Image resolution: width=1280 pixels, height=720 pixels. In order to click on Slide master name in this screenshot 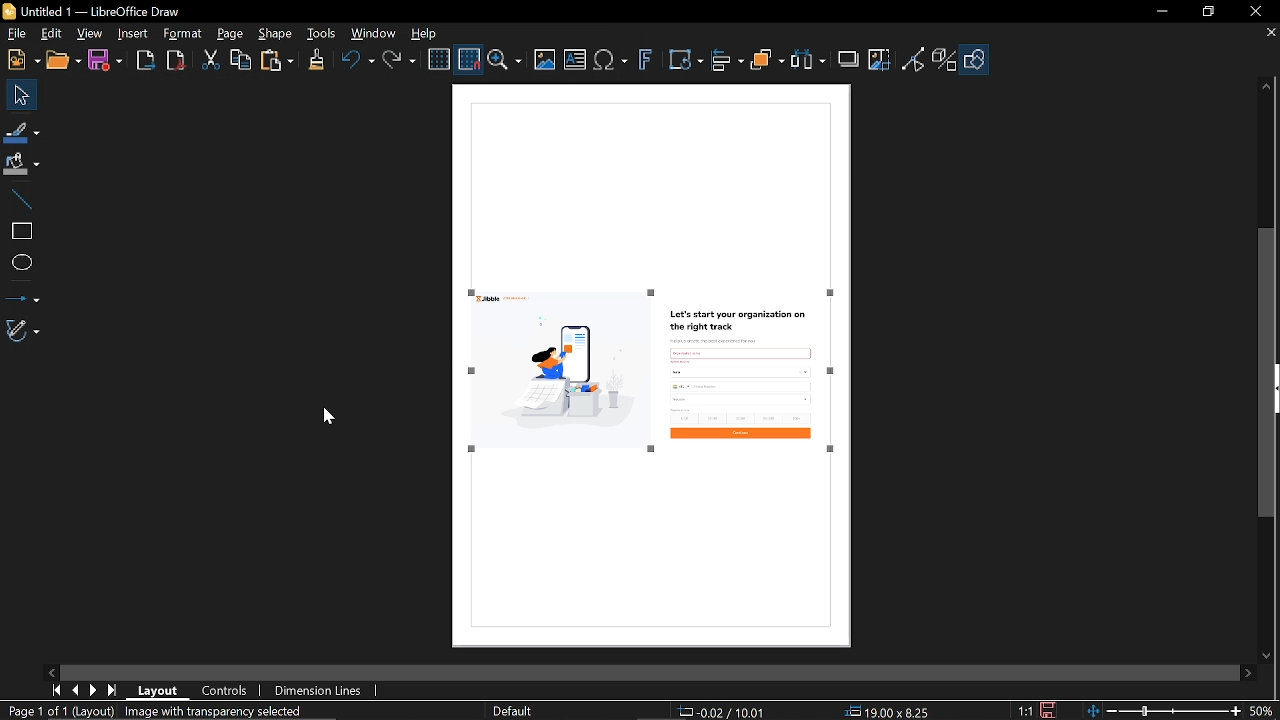, I will do `click(511, 712)`.